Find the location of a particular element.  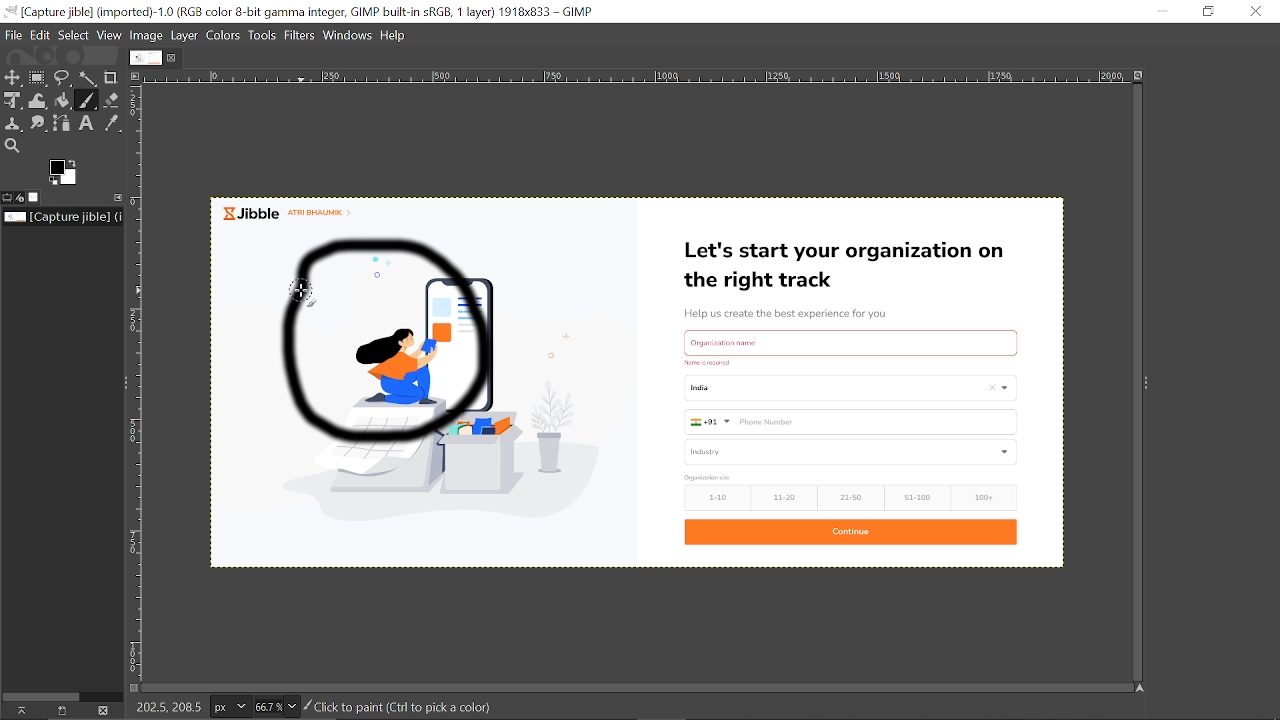

Windows is located at coordinates (349, 36).